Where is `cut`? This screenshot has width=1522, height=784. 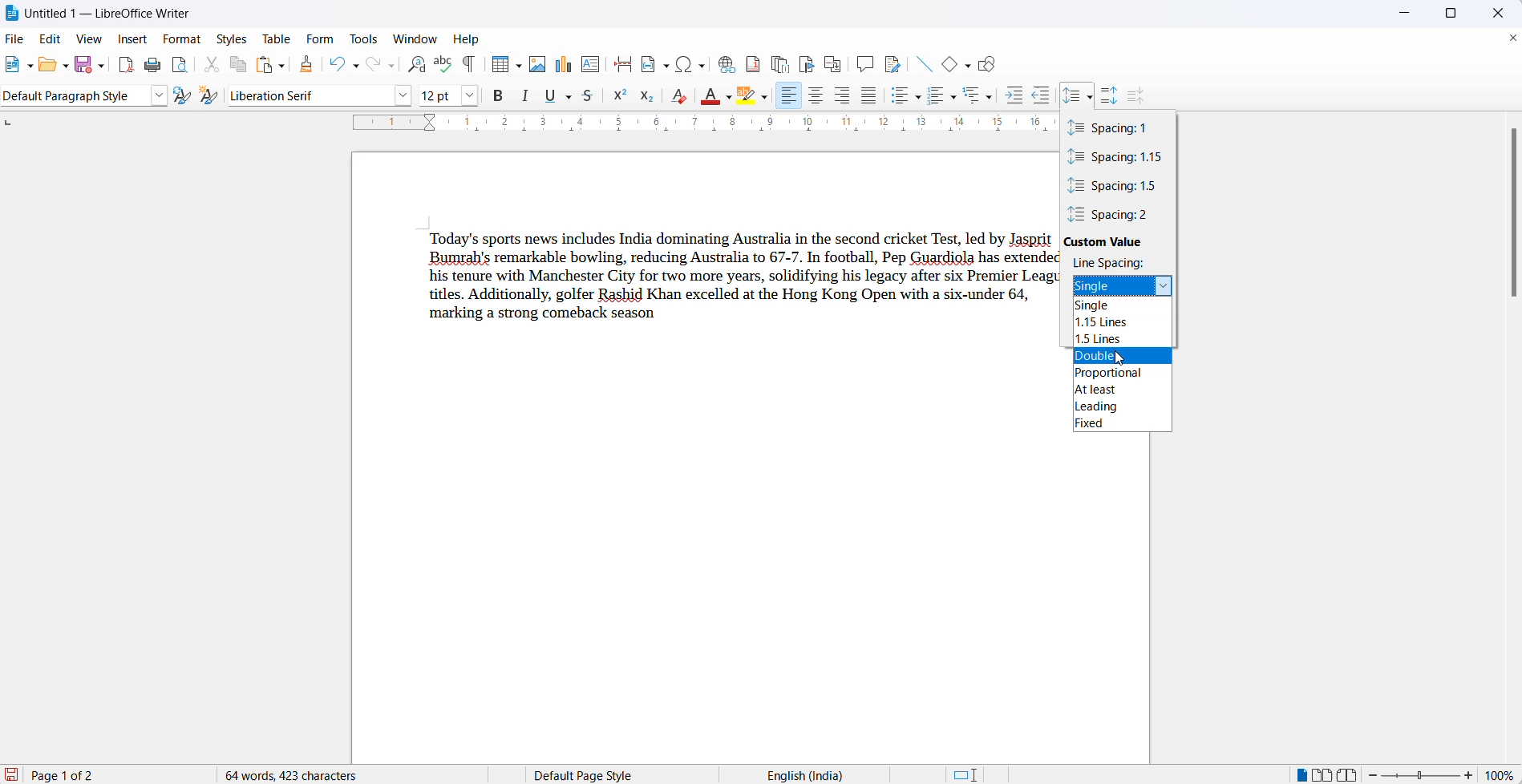
cut is located at coordinates (213, 64).